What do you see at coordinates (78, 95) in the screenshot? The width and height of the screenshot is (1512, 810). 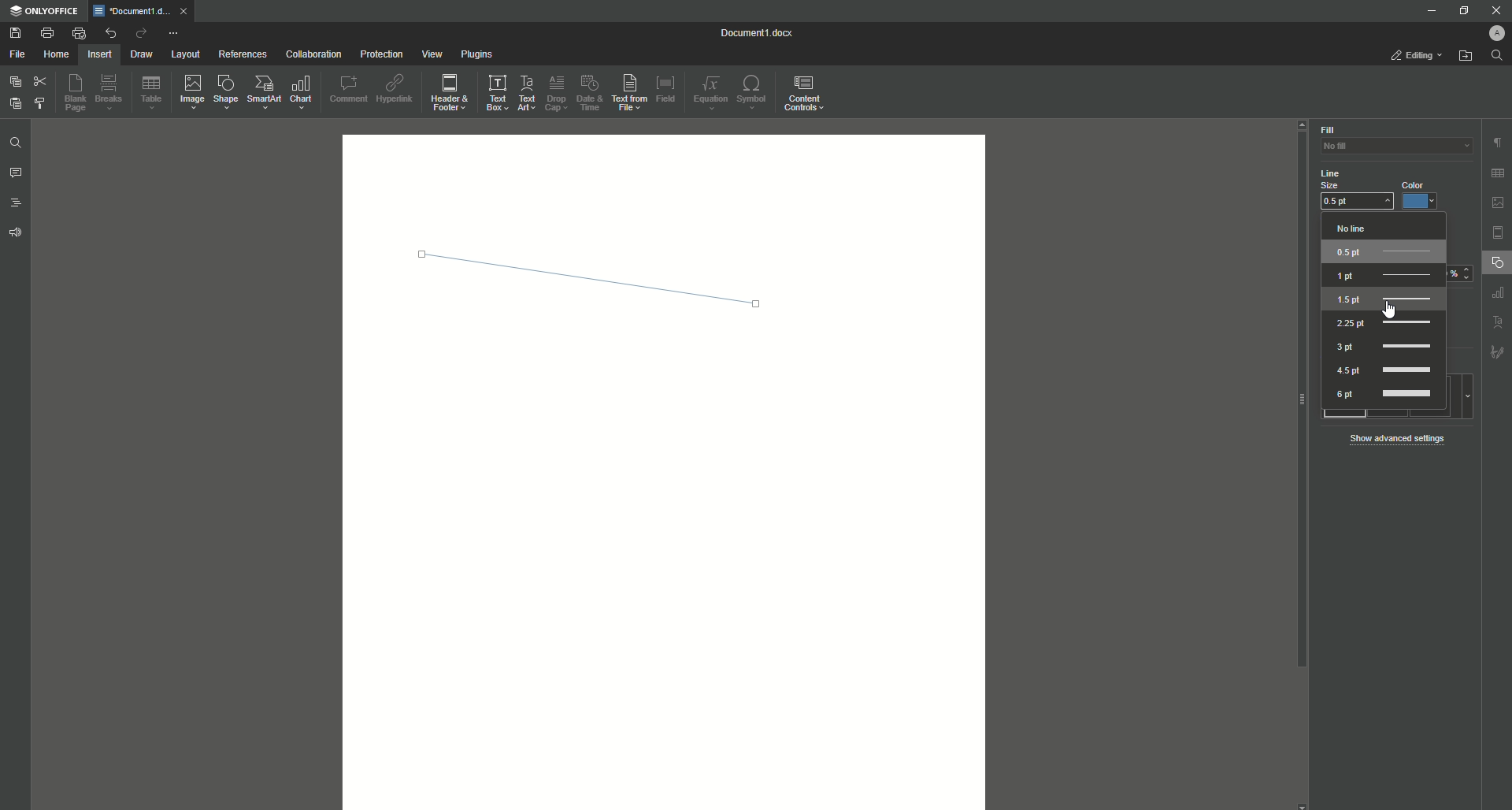 I see `Blank Page` at bounding box center [78, 95].